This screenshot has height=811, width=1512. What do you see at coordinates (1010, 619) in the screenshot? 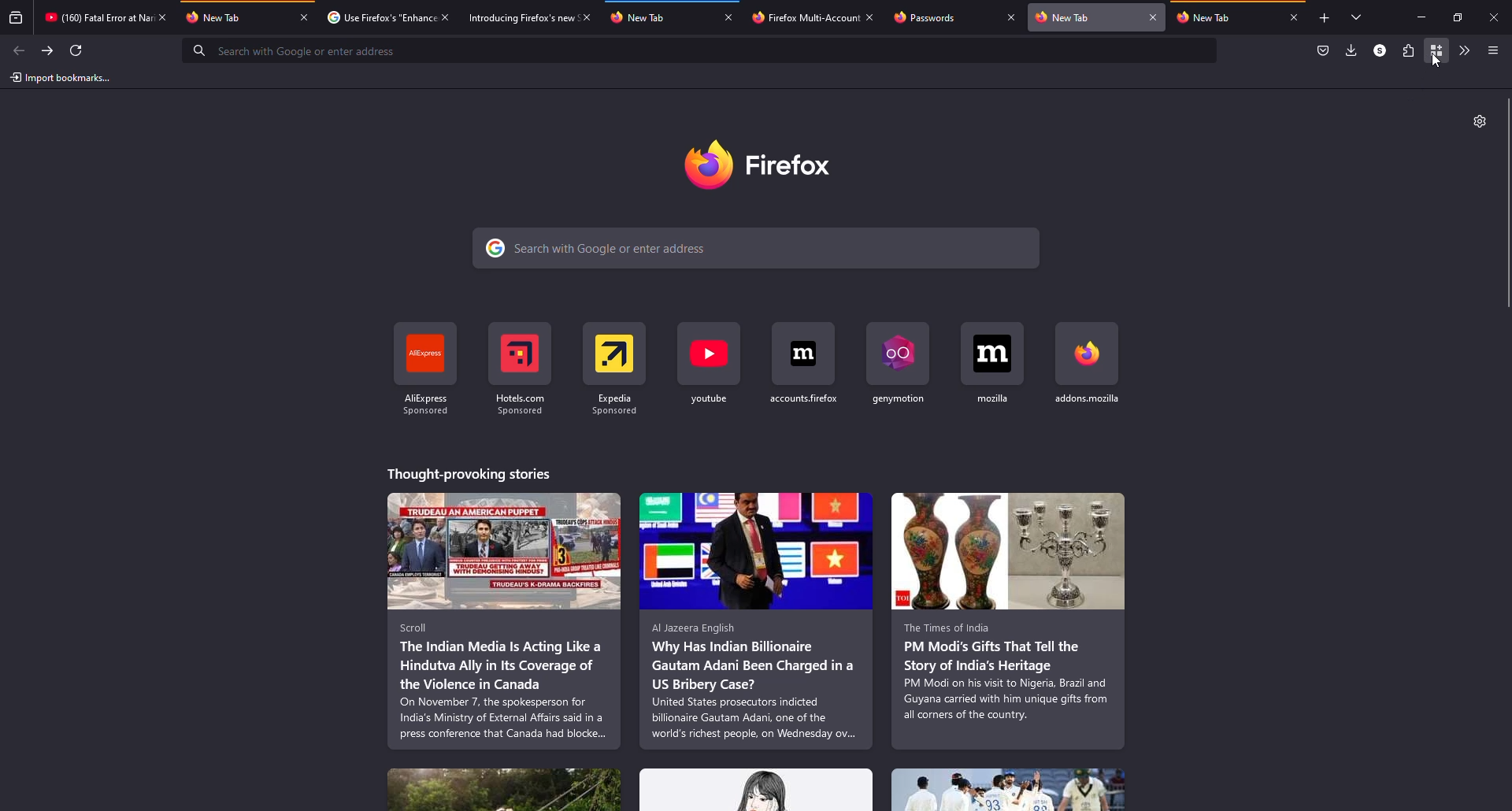
I see `` at bounding box center [1010, 619].